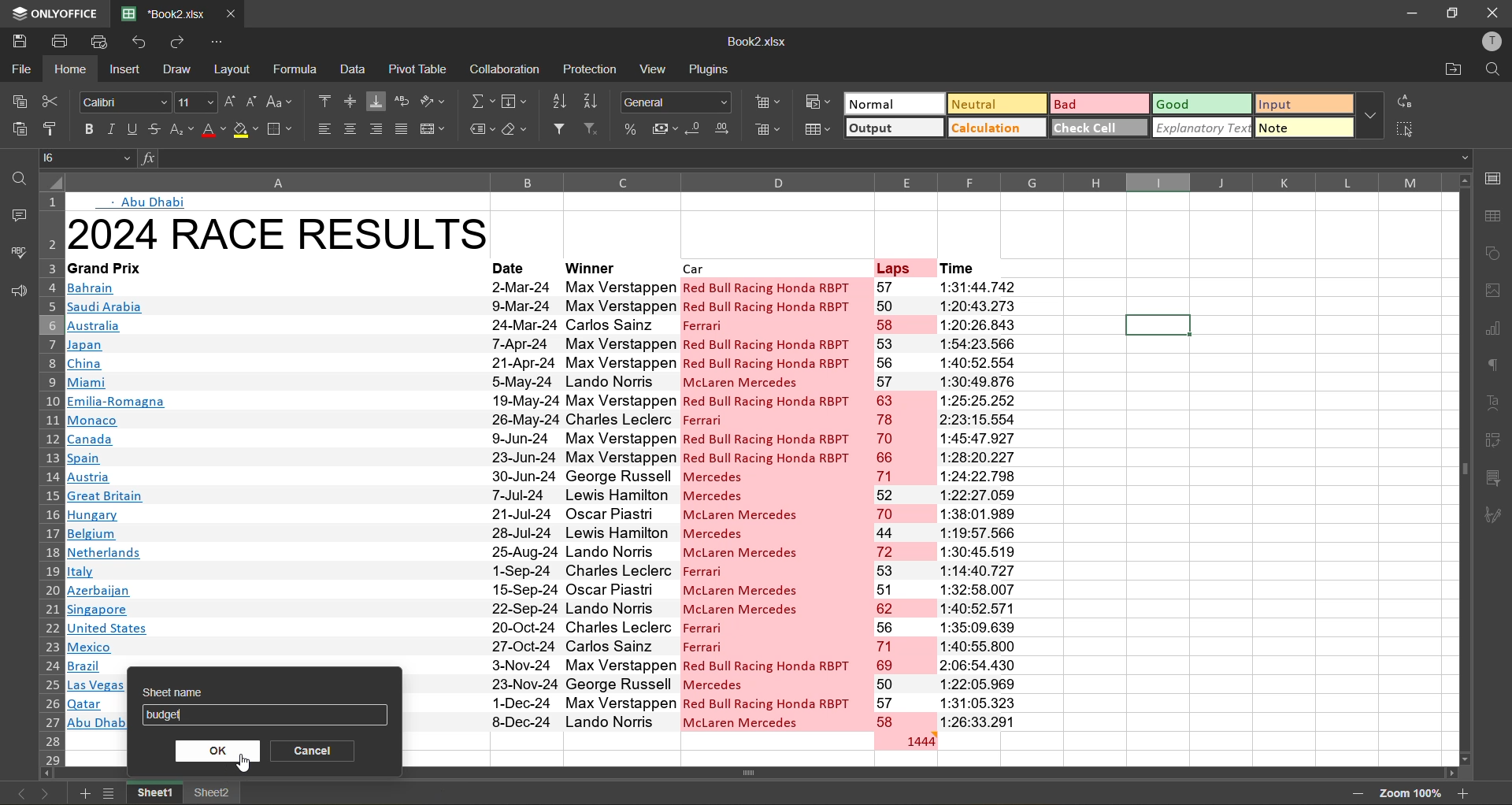 This screenshot has height=805, width=1512. What do you see at coordinates (520, 265) in the screenshot?
I see `date` at bounding box center [520, 265].